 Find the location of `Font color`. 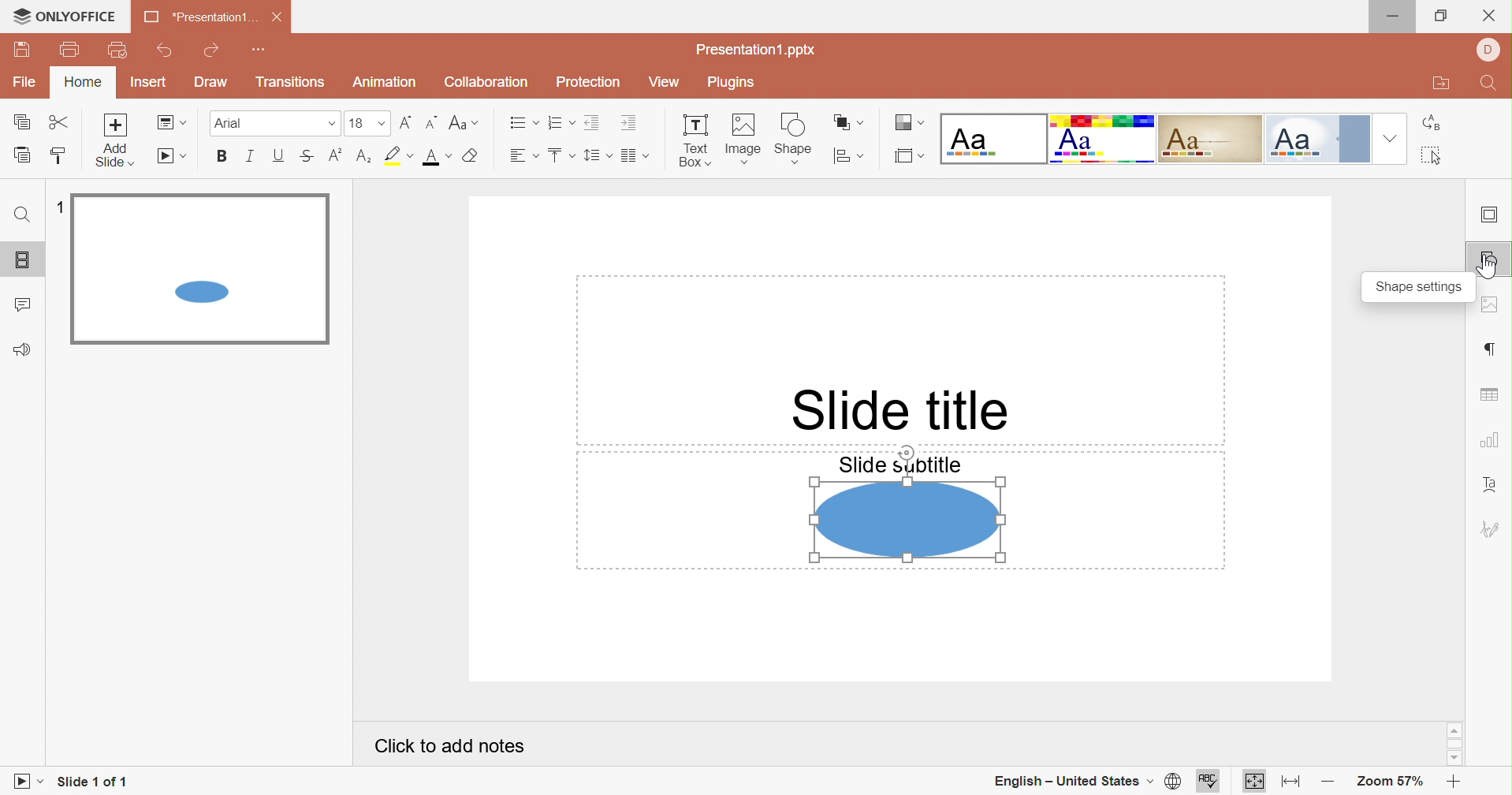

Font color is located at coordinates (436, 157).